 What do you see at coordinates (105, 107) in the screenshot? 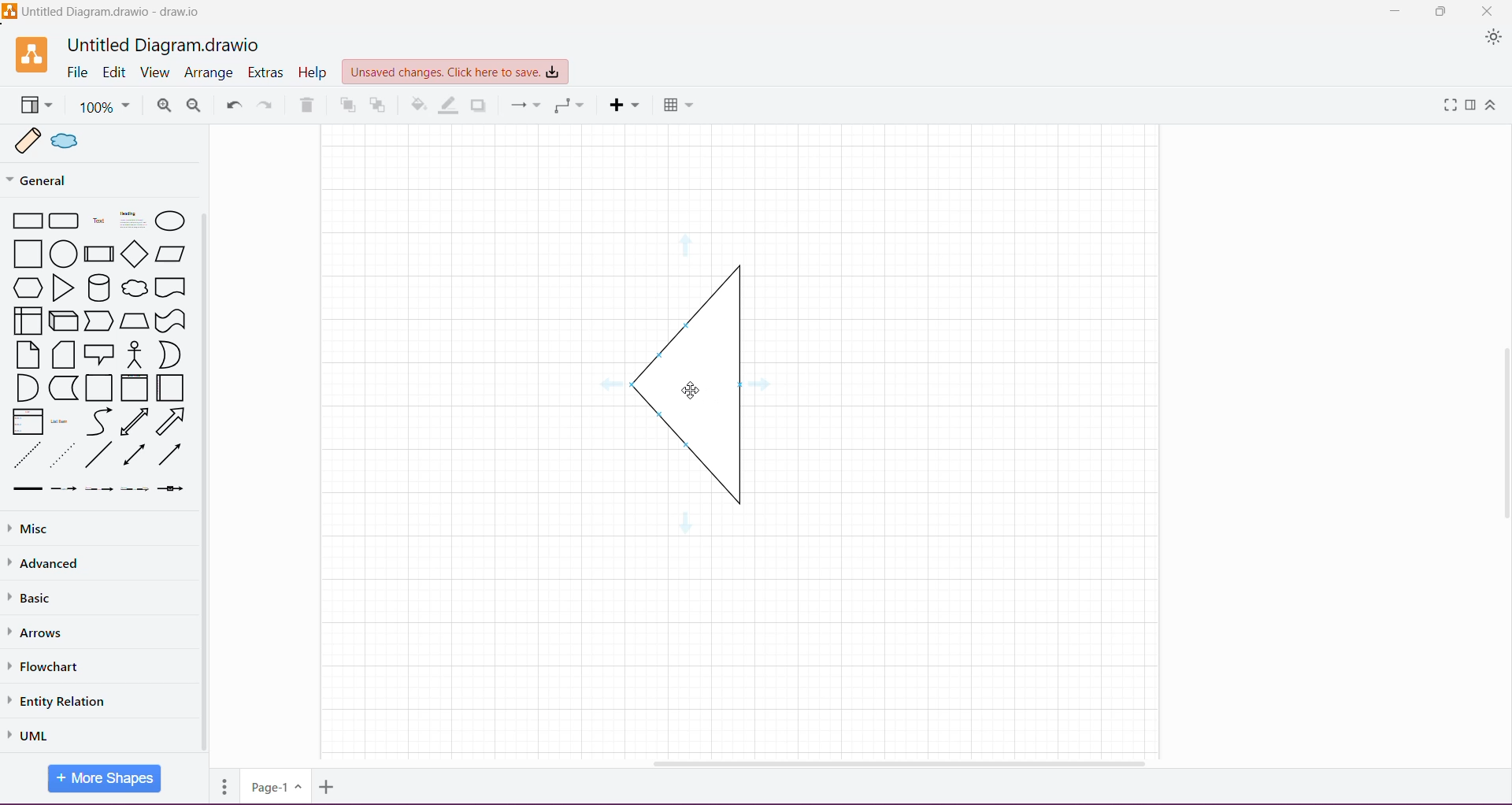
I see `100%` at bounding box center [105, 107].